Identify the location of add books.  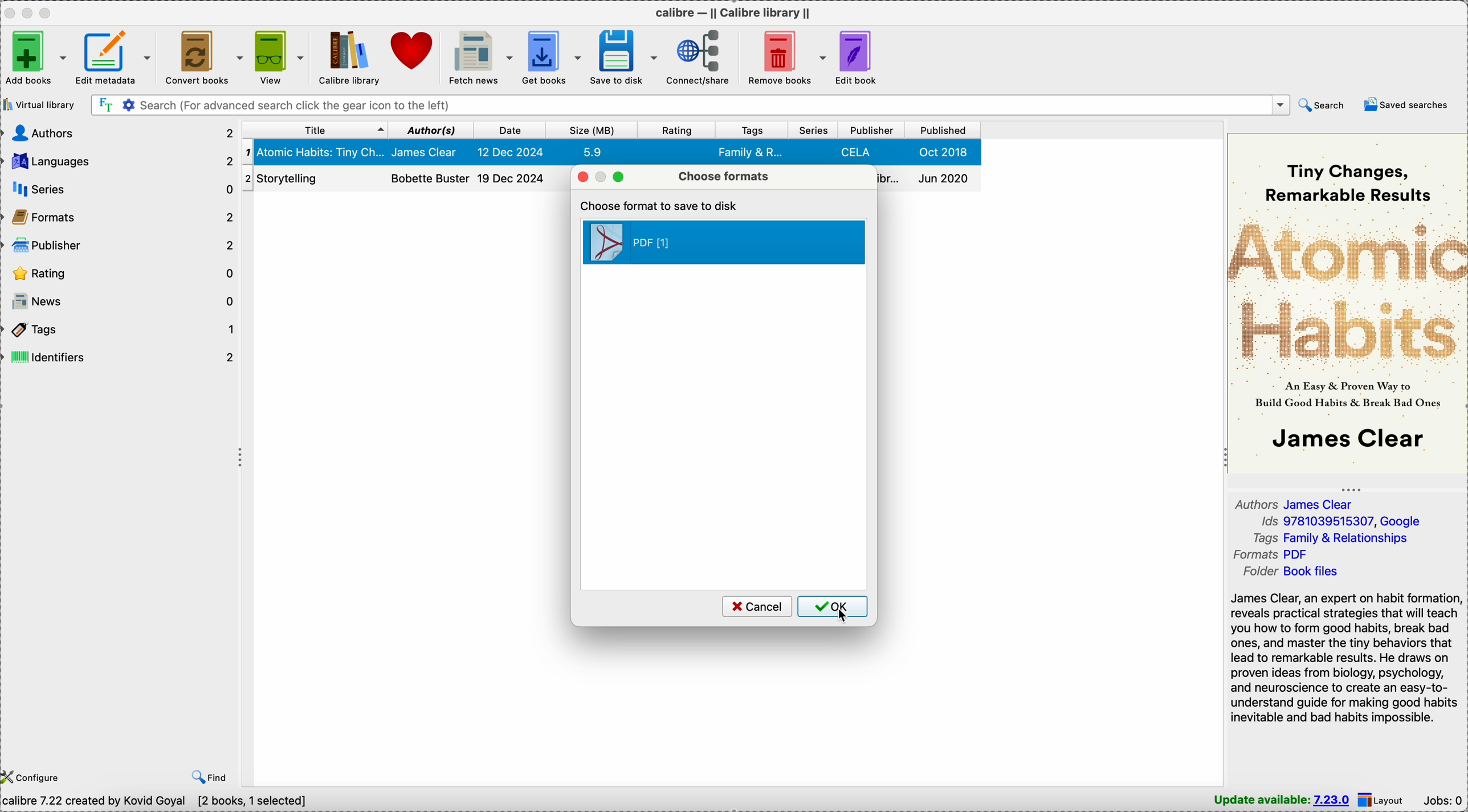
(36, 57).